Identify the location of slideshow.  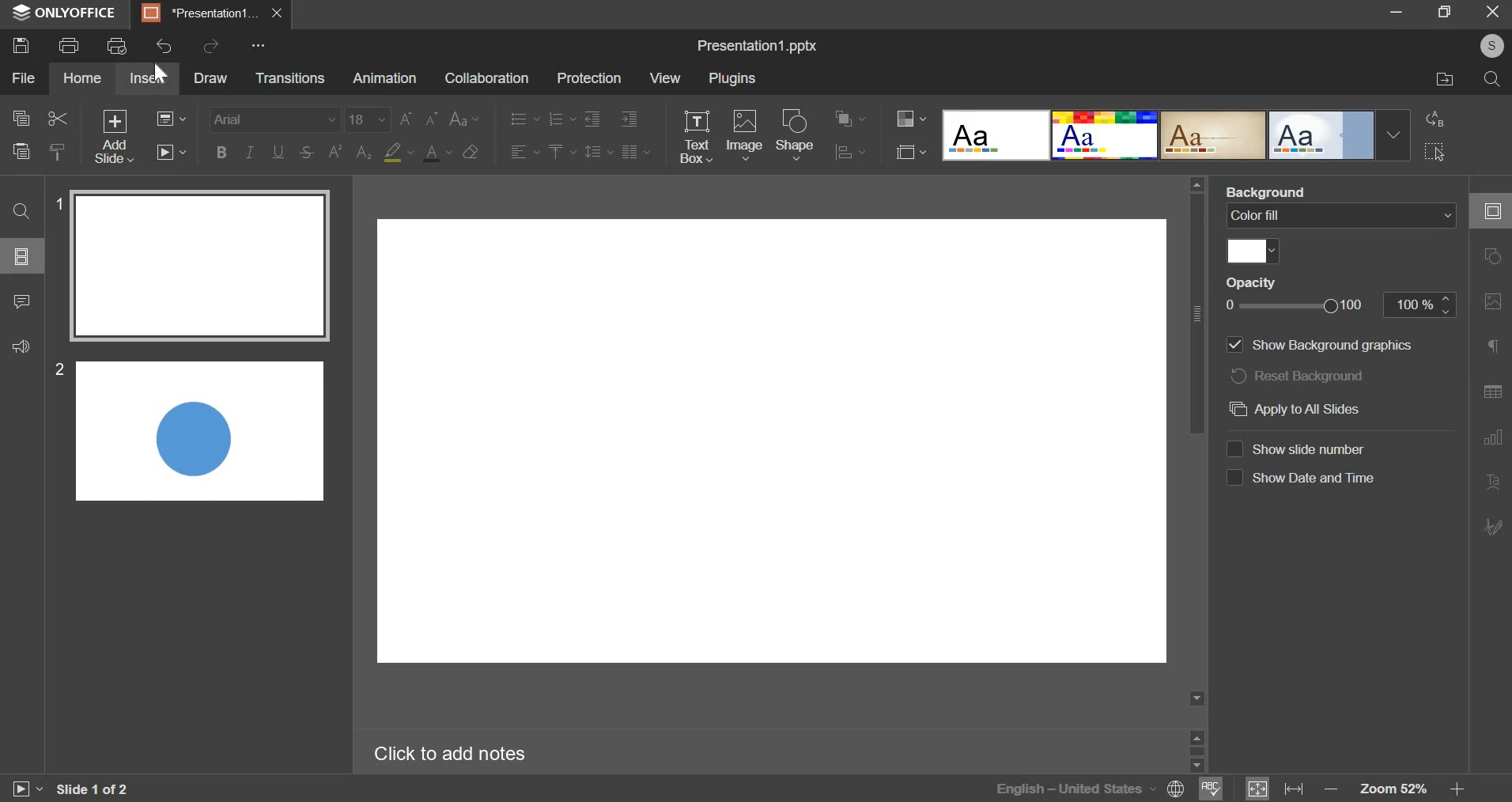
(171, 153).